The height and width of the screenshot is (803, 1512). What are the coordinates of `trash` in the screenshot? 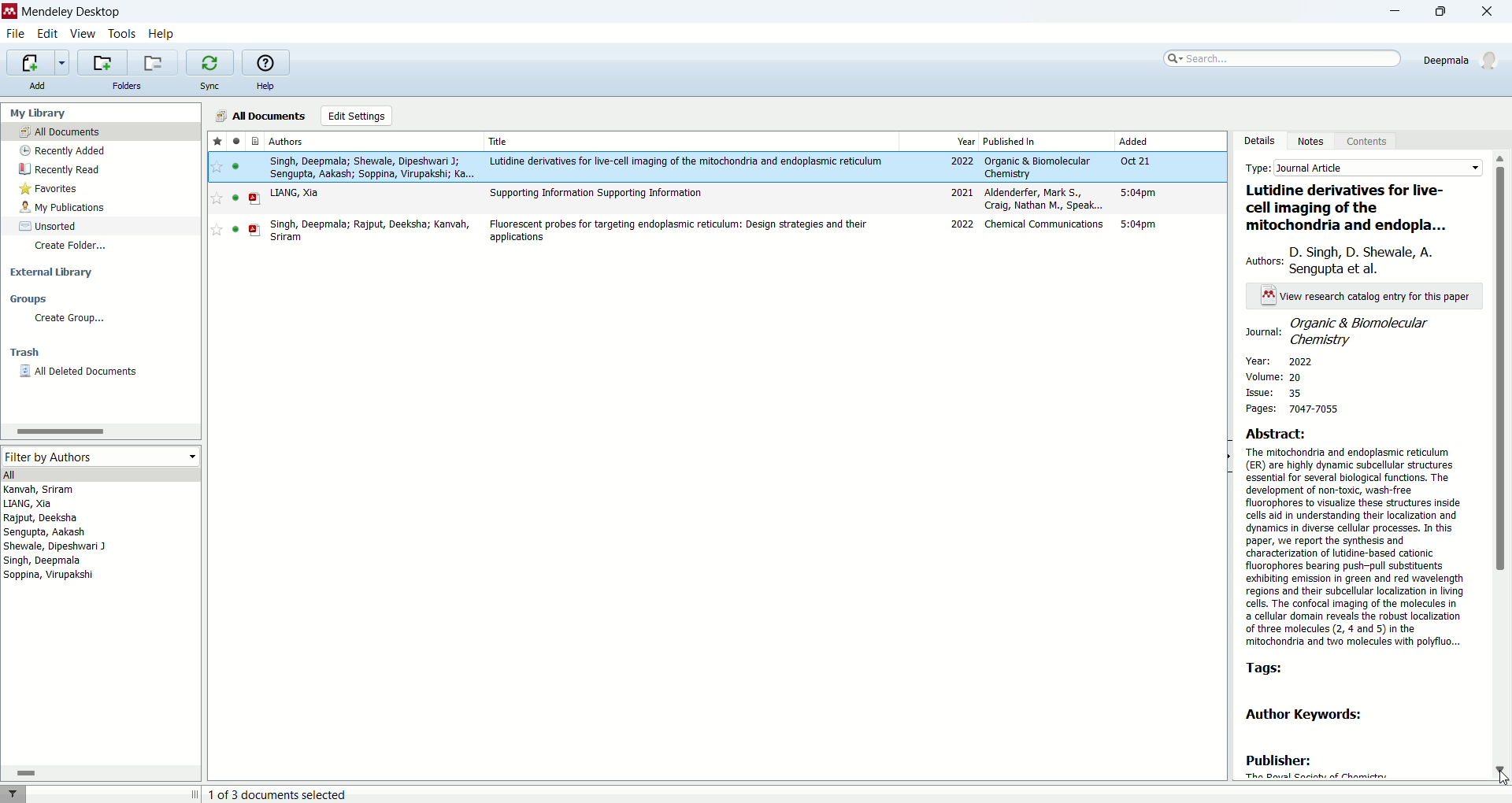 It's located at (25, 353).